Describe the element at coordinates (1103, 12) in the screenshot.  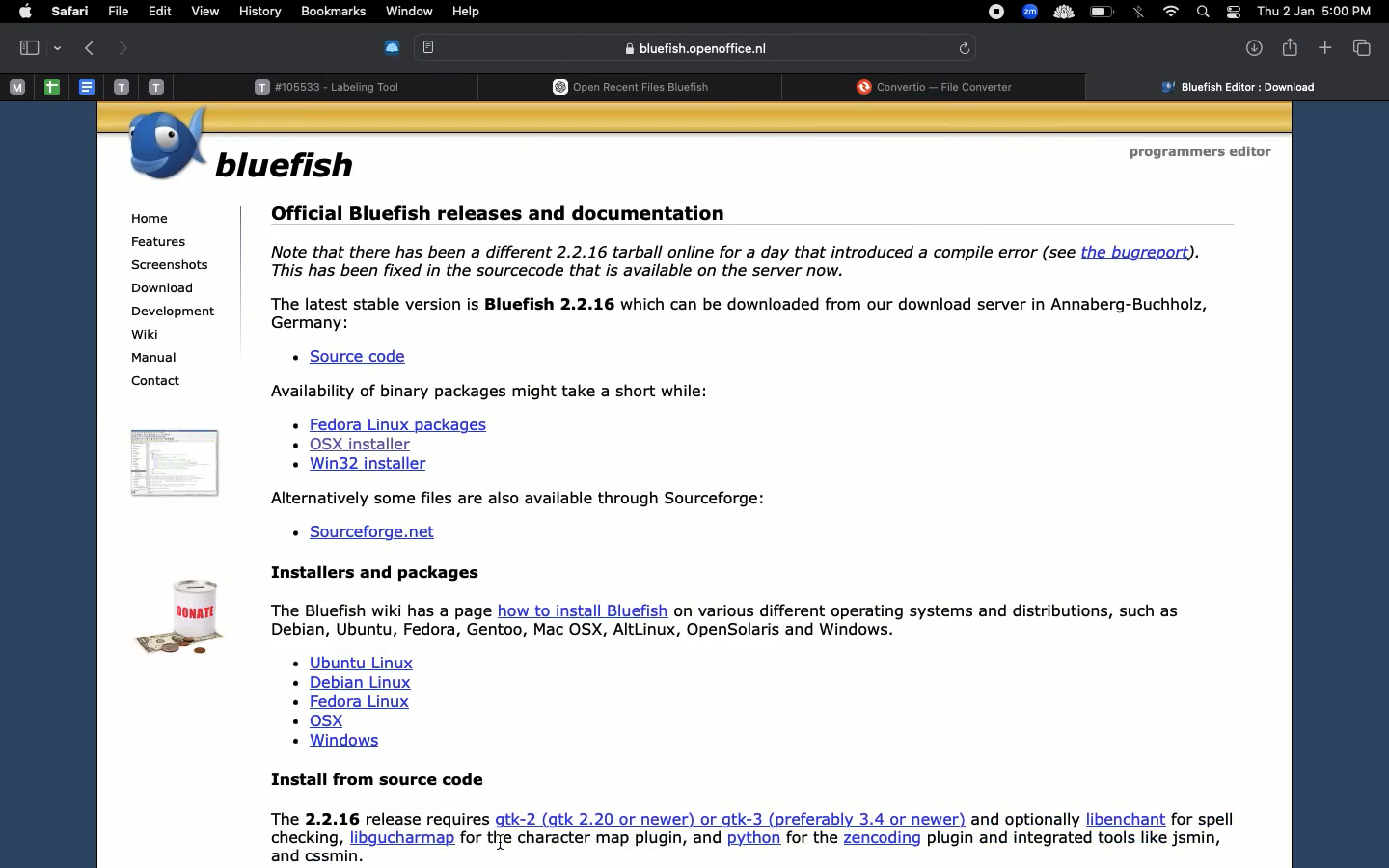
I see `charge` at that location.